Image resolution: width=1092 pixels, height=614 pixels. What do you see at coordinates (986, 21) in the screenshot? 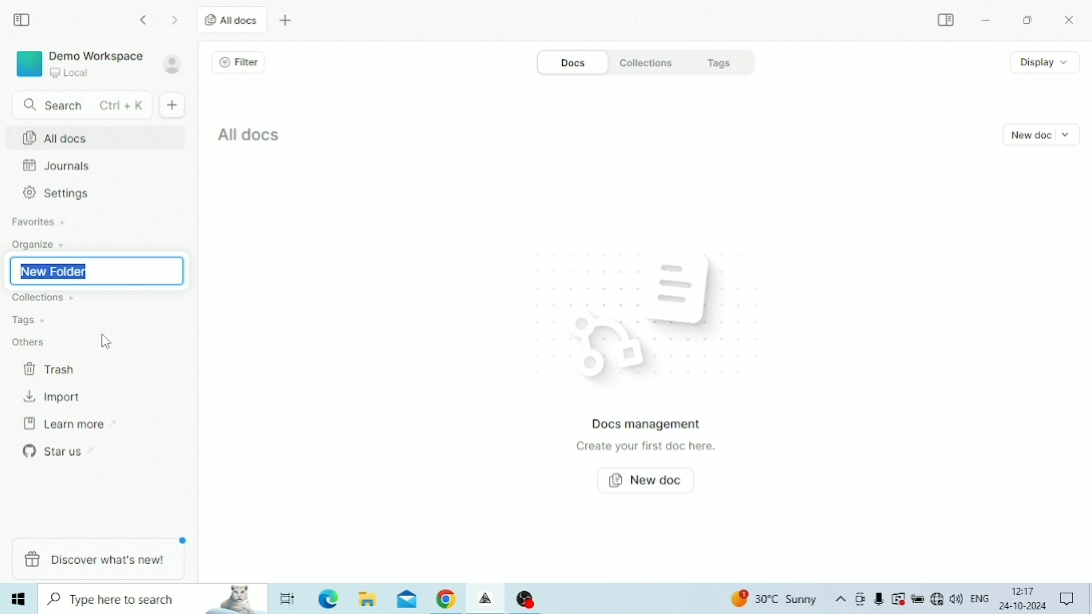
I see `Minimize` at bounding box center [986, 21].